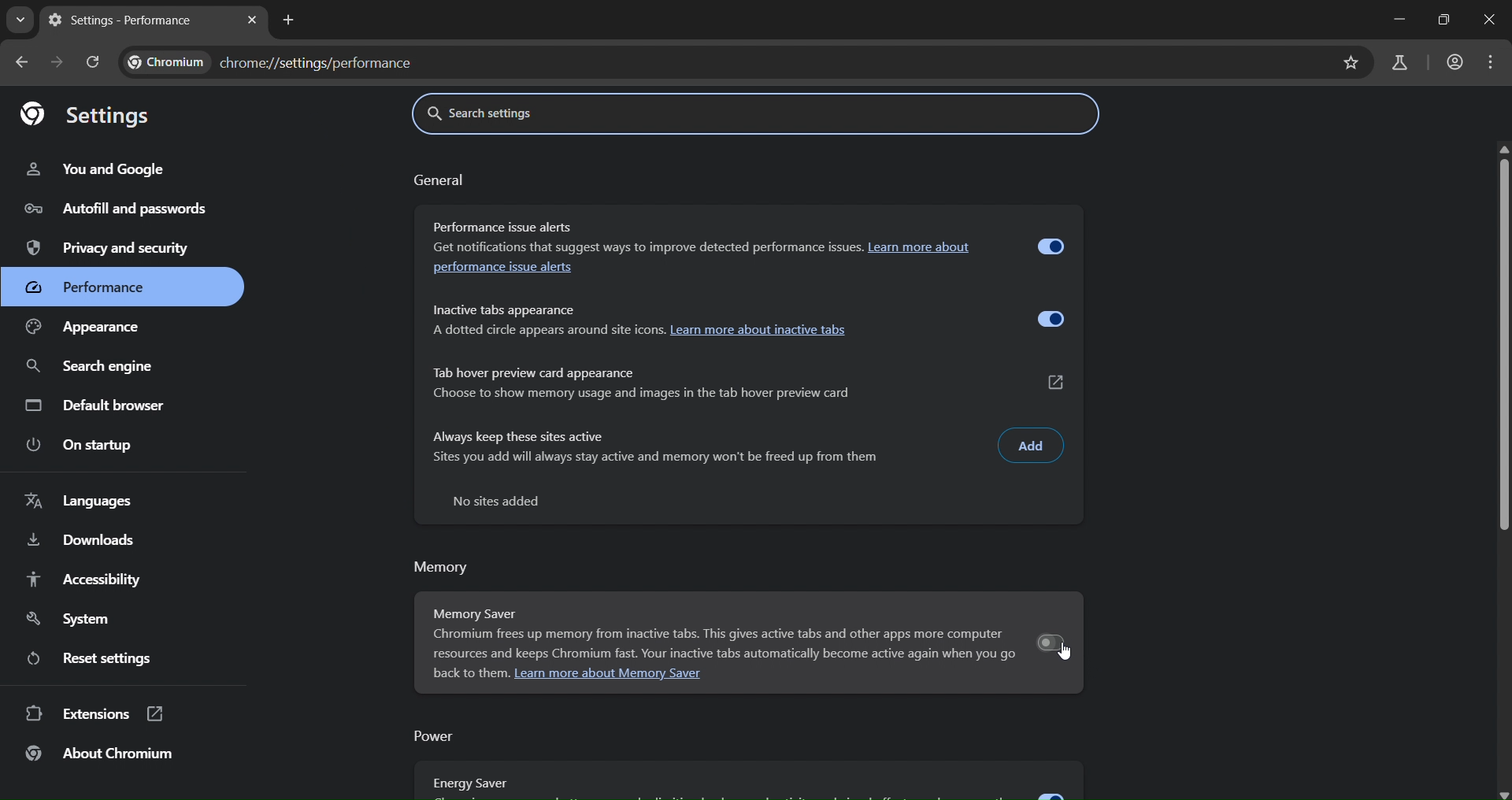 This screenshot has height=800, width=1512. Describe the element at coordinates (1508, 471) in the screenshot. I see `scrollbar` at that location.